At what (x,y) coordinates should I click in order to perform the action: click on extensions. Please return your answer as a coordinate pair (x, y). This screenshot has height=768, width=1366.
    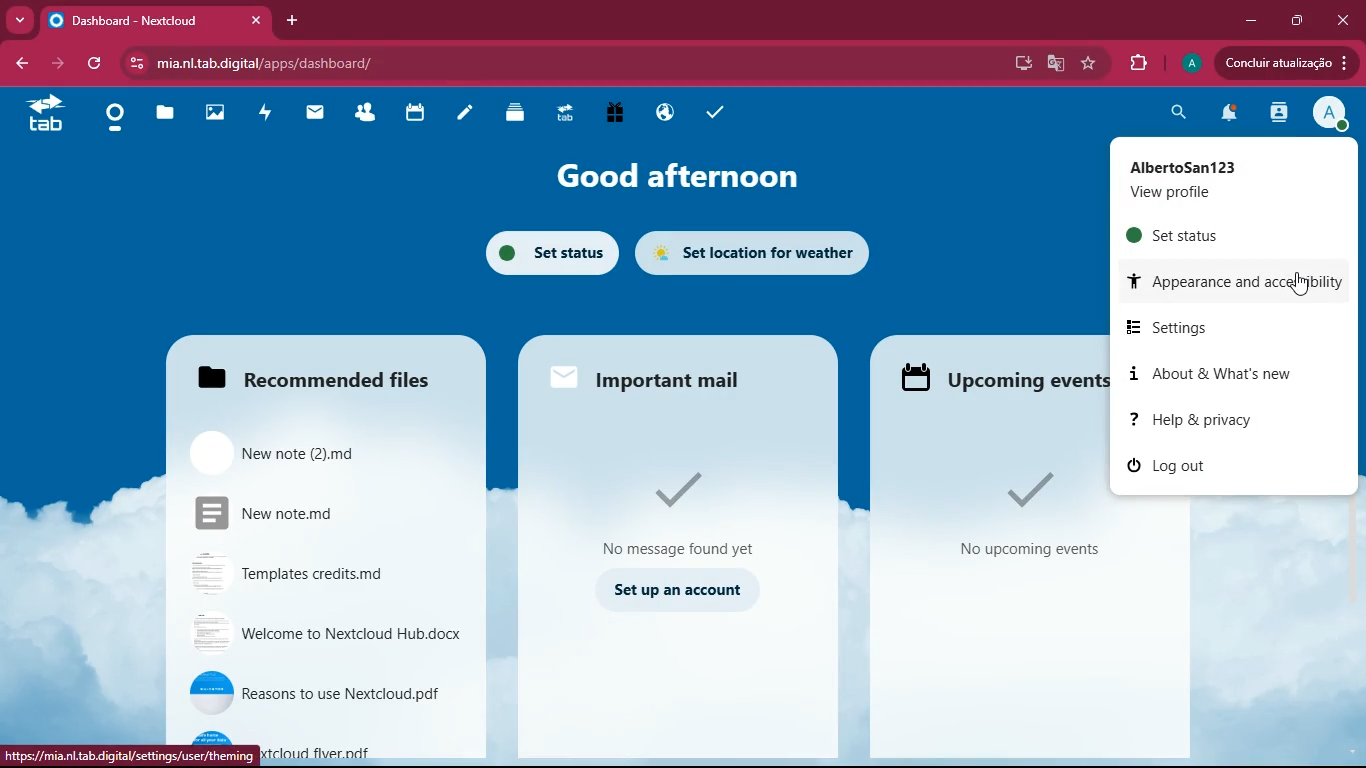
    Looking at the image, I should click on (1141, 64).